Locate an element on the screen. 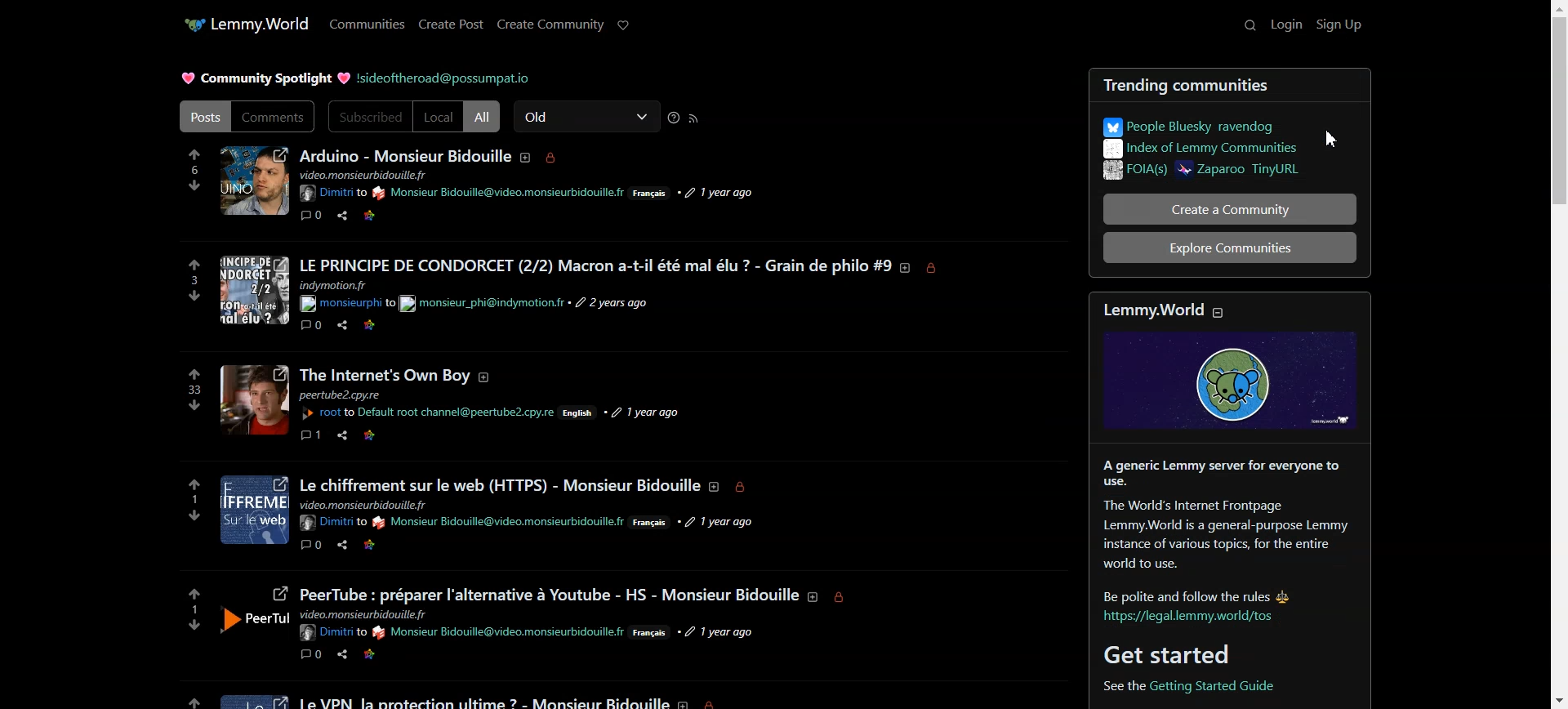 This screenshot has width=1568, height=709. copy is located at coordinates (430, 328).